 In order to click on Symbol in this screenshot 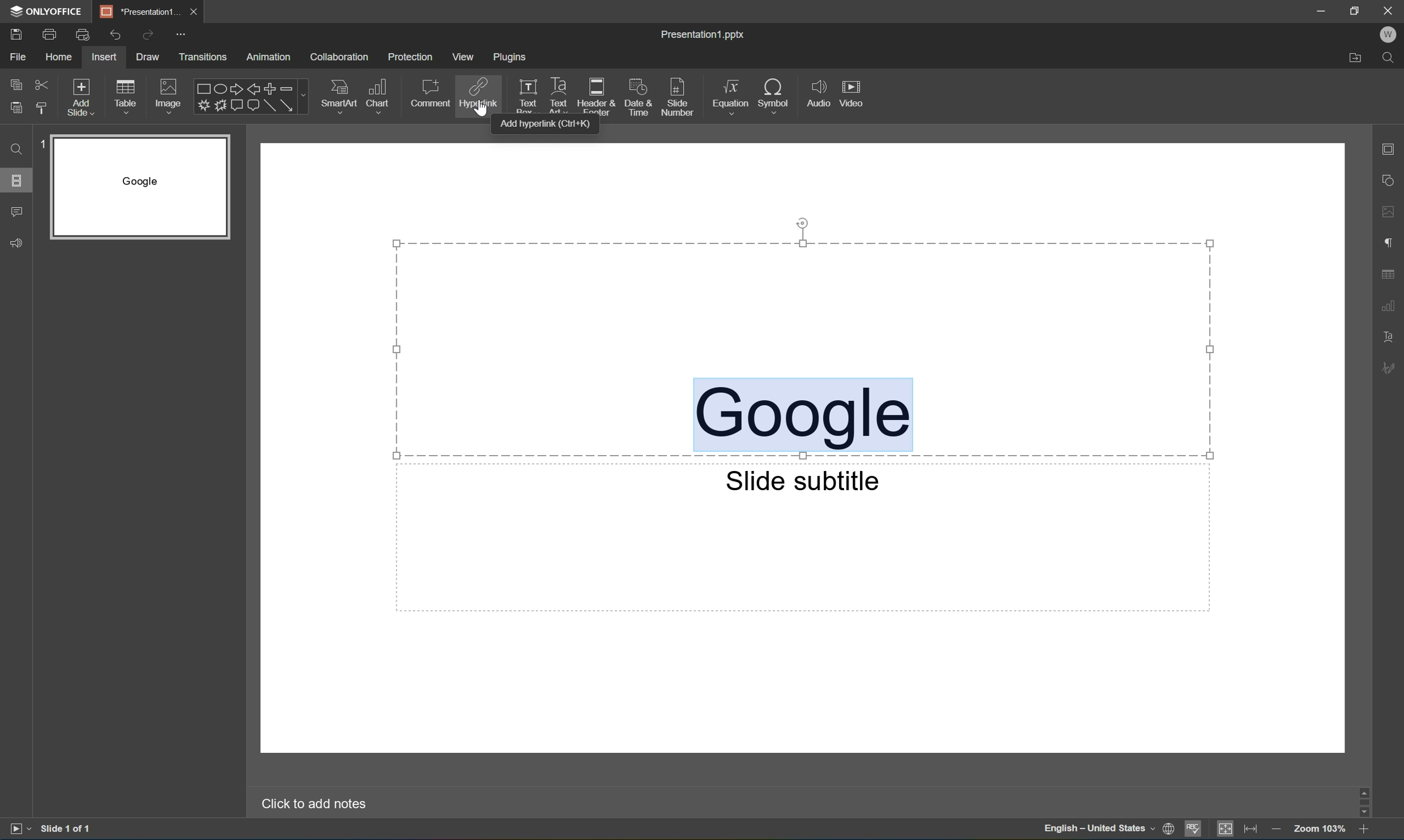, I will do `click(778, 95)`.